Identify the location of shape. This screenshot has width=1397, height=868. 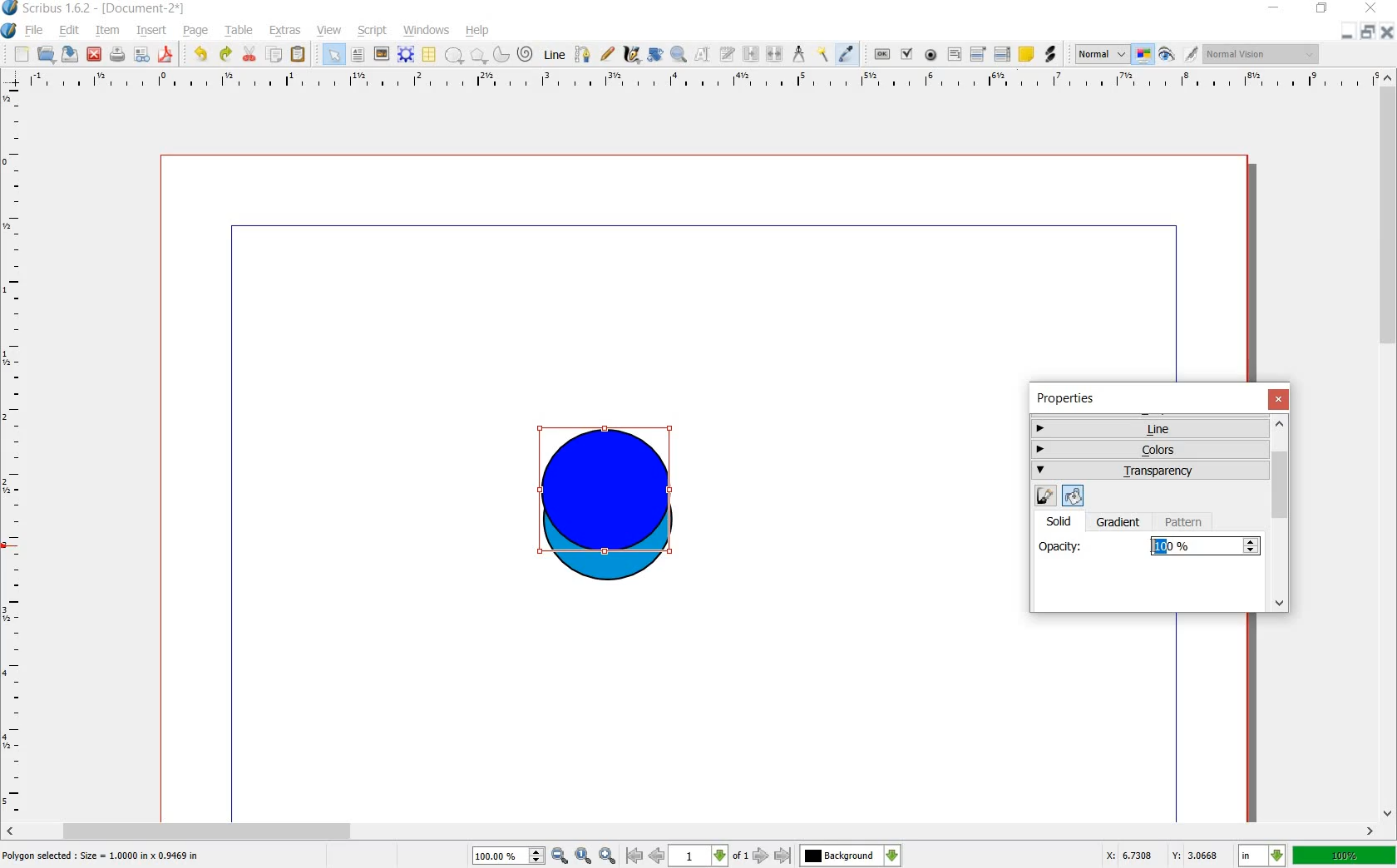
(455, 56).